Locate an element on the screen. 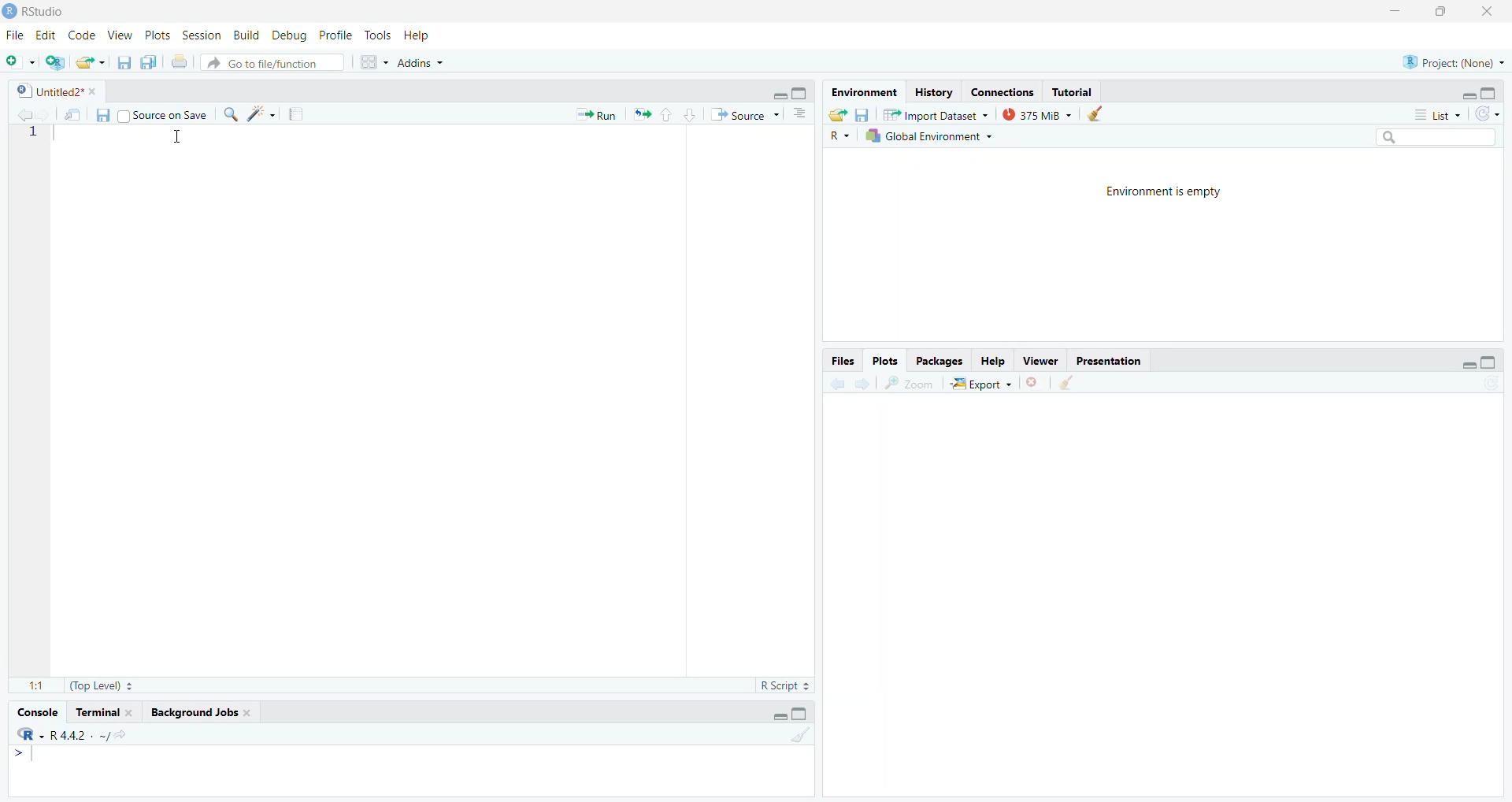 The height and width of the screenshot is (802, 1512). hide console is located at coordinates (802, 94).